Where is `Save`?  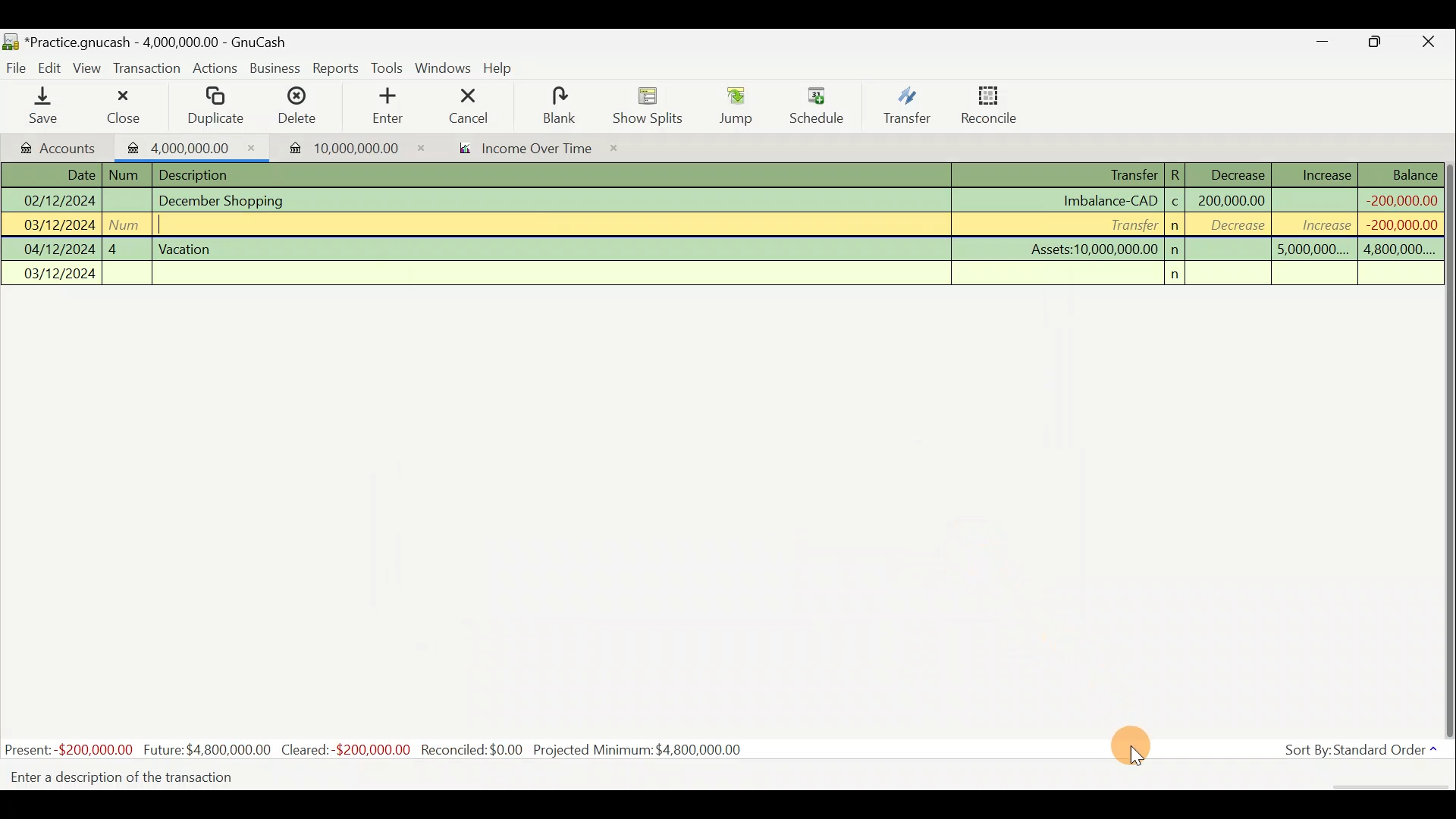 Save is located at coordinates (46, 107).